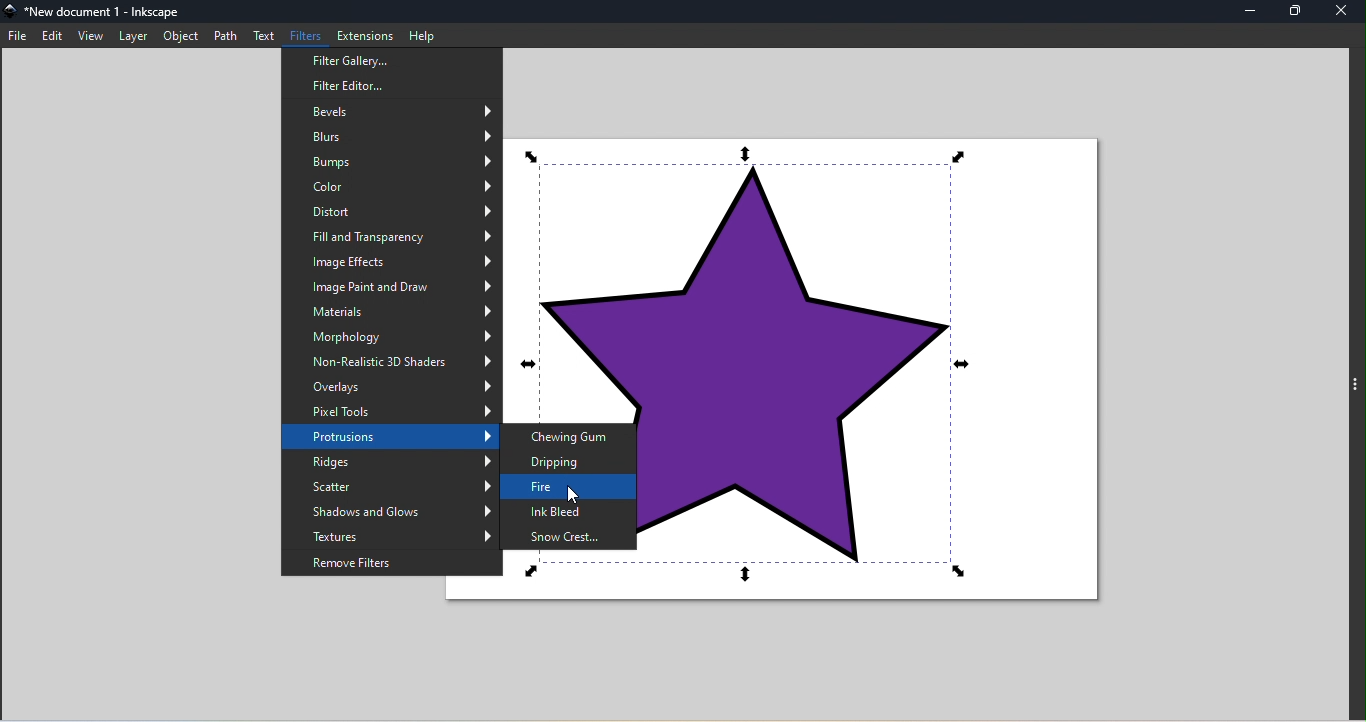 The height and width of the screenshot is (722, 1366). I want to click on Non-realistic, so click(389, 362).